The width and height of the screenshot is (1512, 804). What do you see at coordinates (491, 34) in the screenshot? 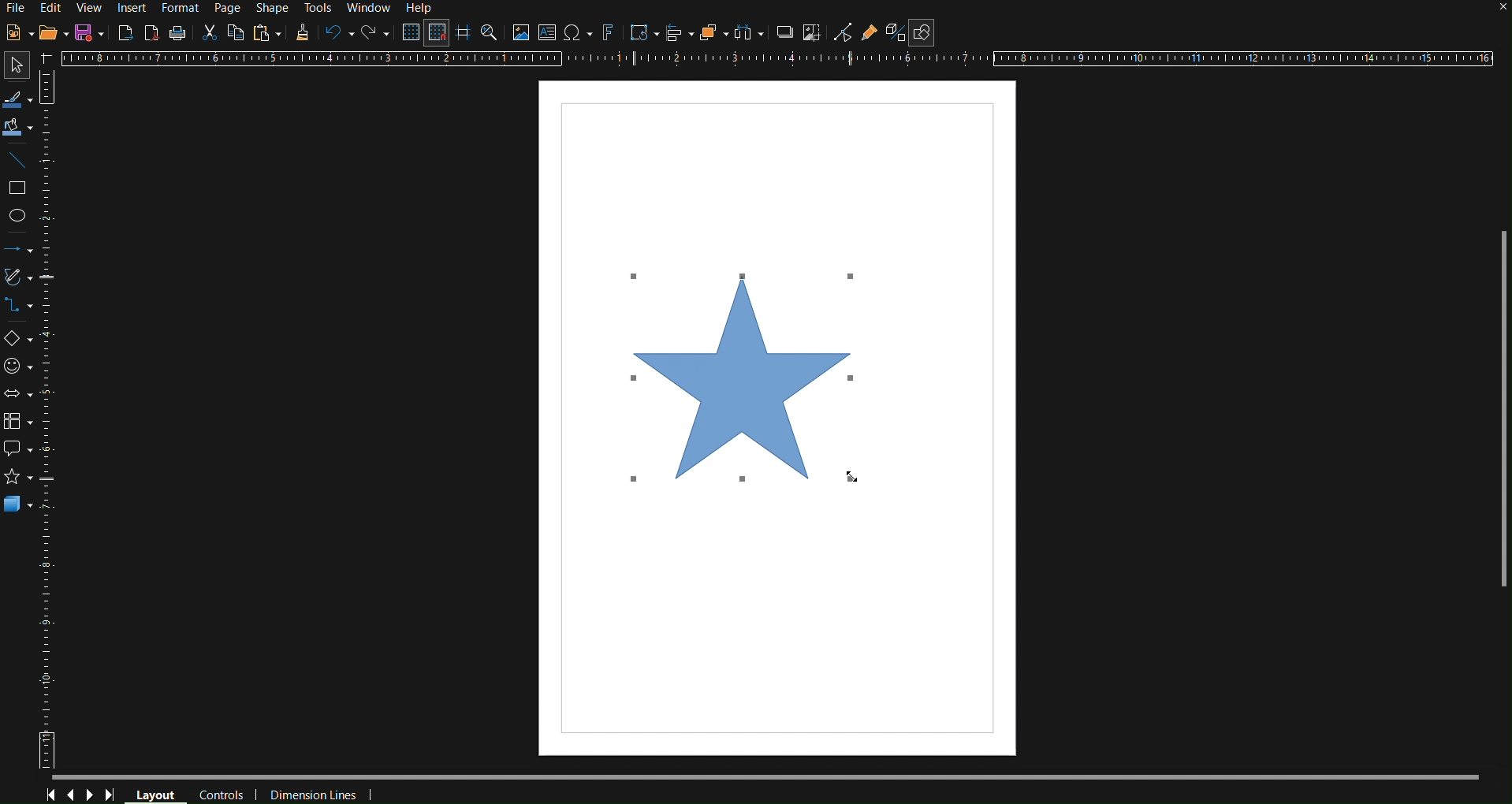
I see `Zoom and Pan` at bounding box center [491, 34].